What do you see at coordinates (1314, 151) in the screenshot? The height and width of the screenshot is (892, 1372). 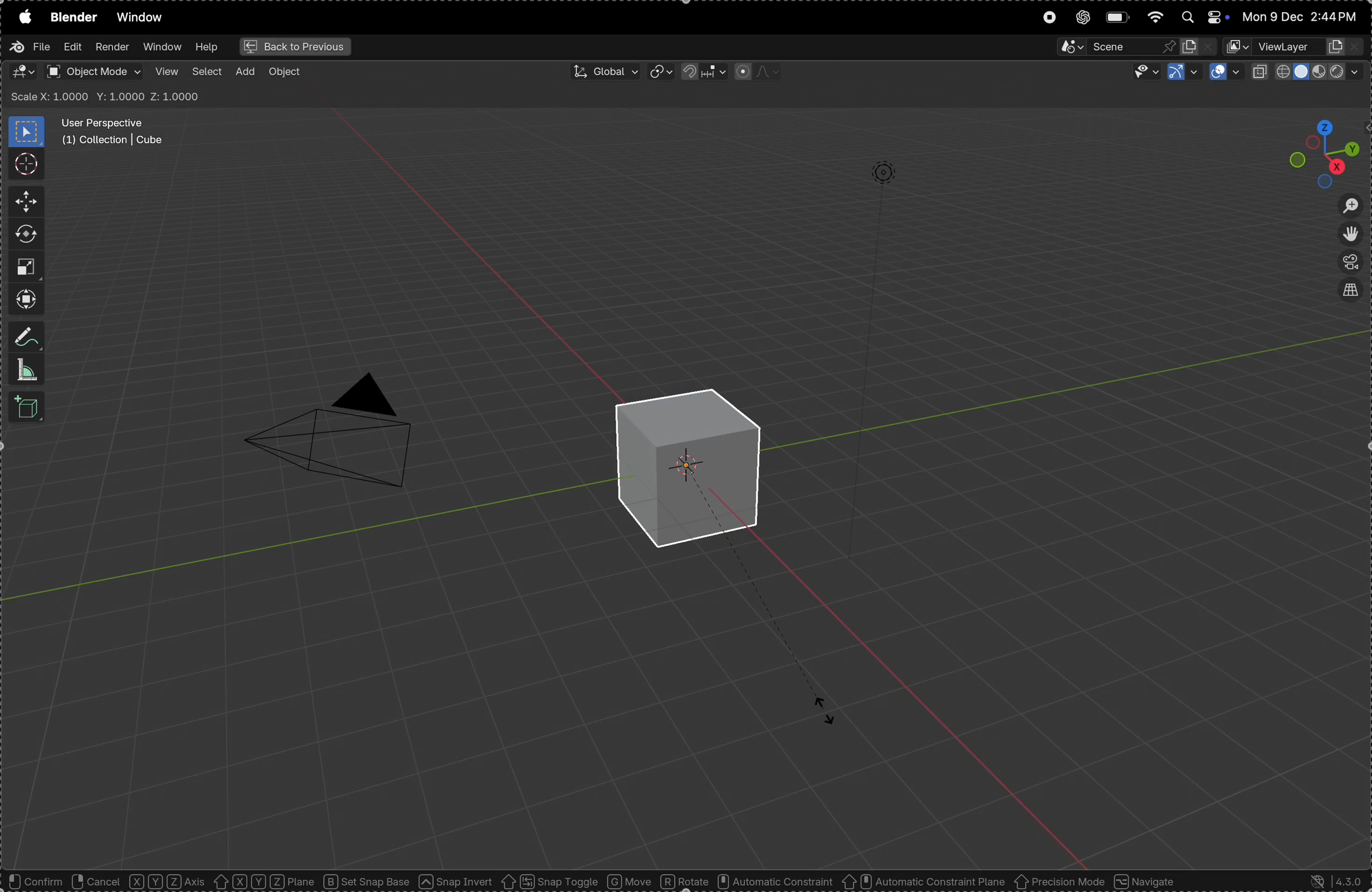 I see `view point` at bounding box center [1314, 151].